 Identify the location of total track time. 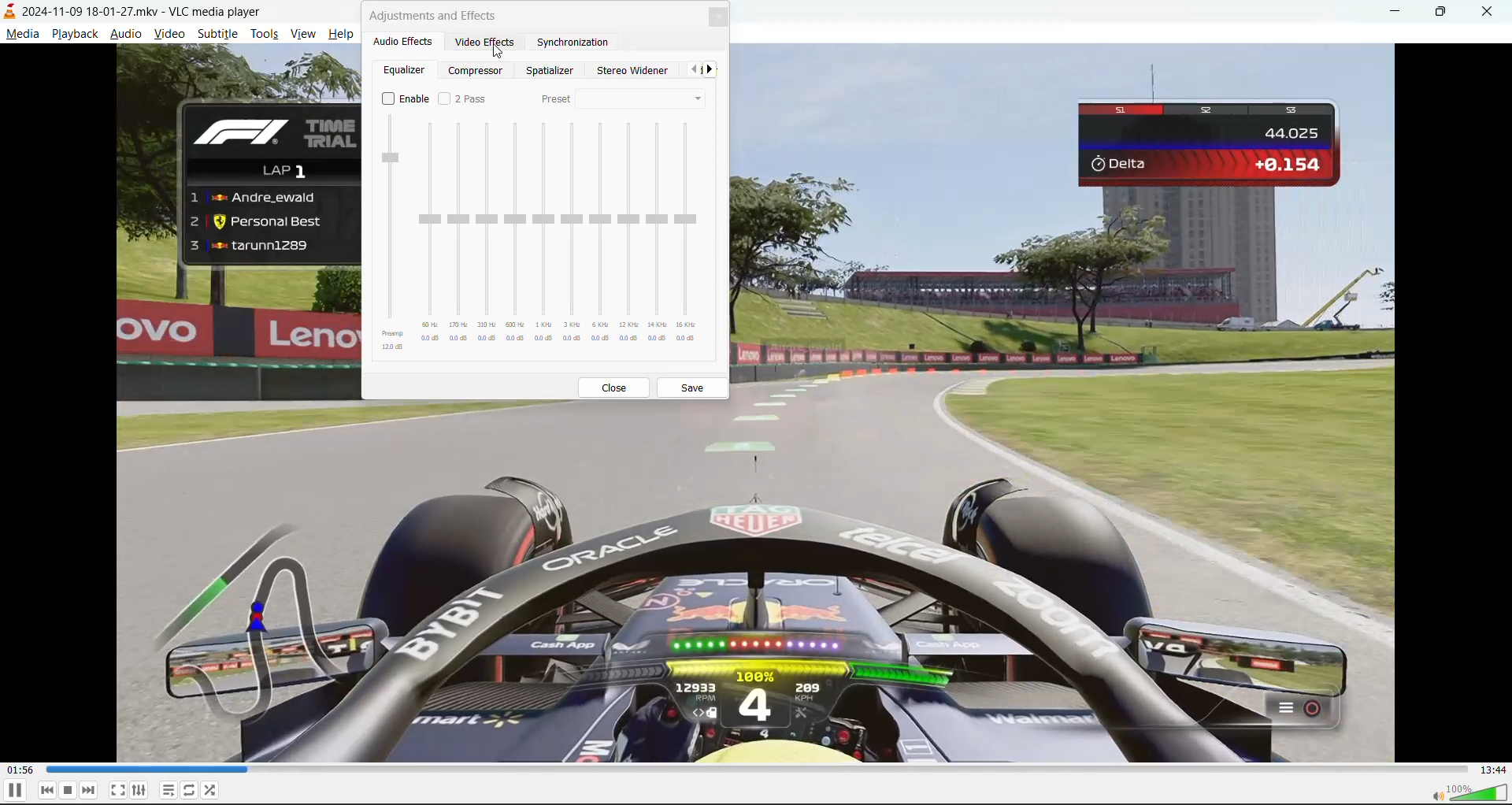
(1489, 768).